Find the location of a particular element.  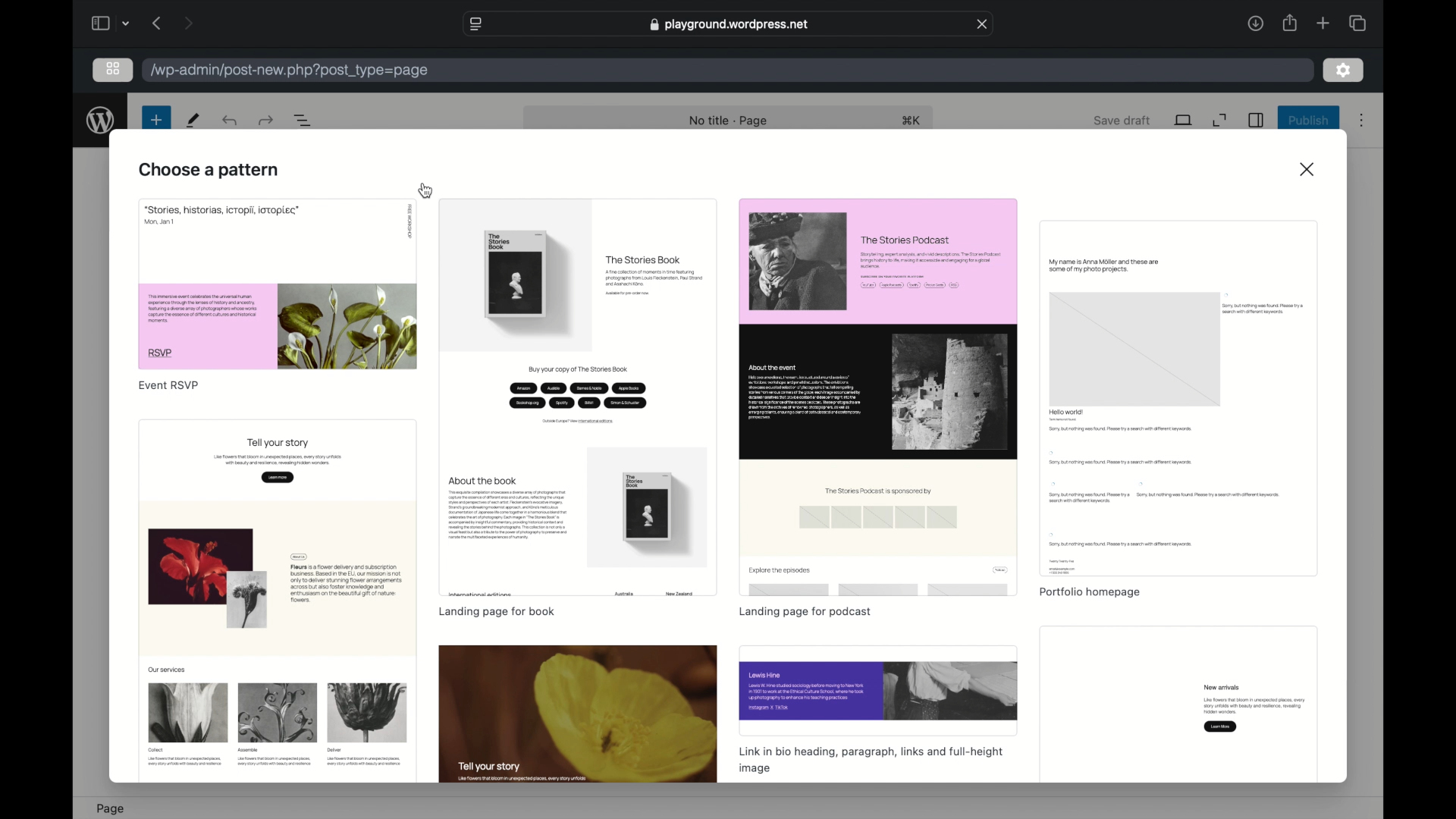

save draft is located at coordinates (1122, 120).